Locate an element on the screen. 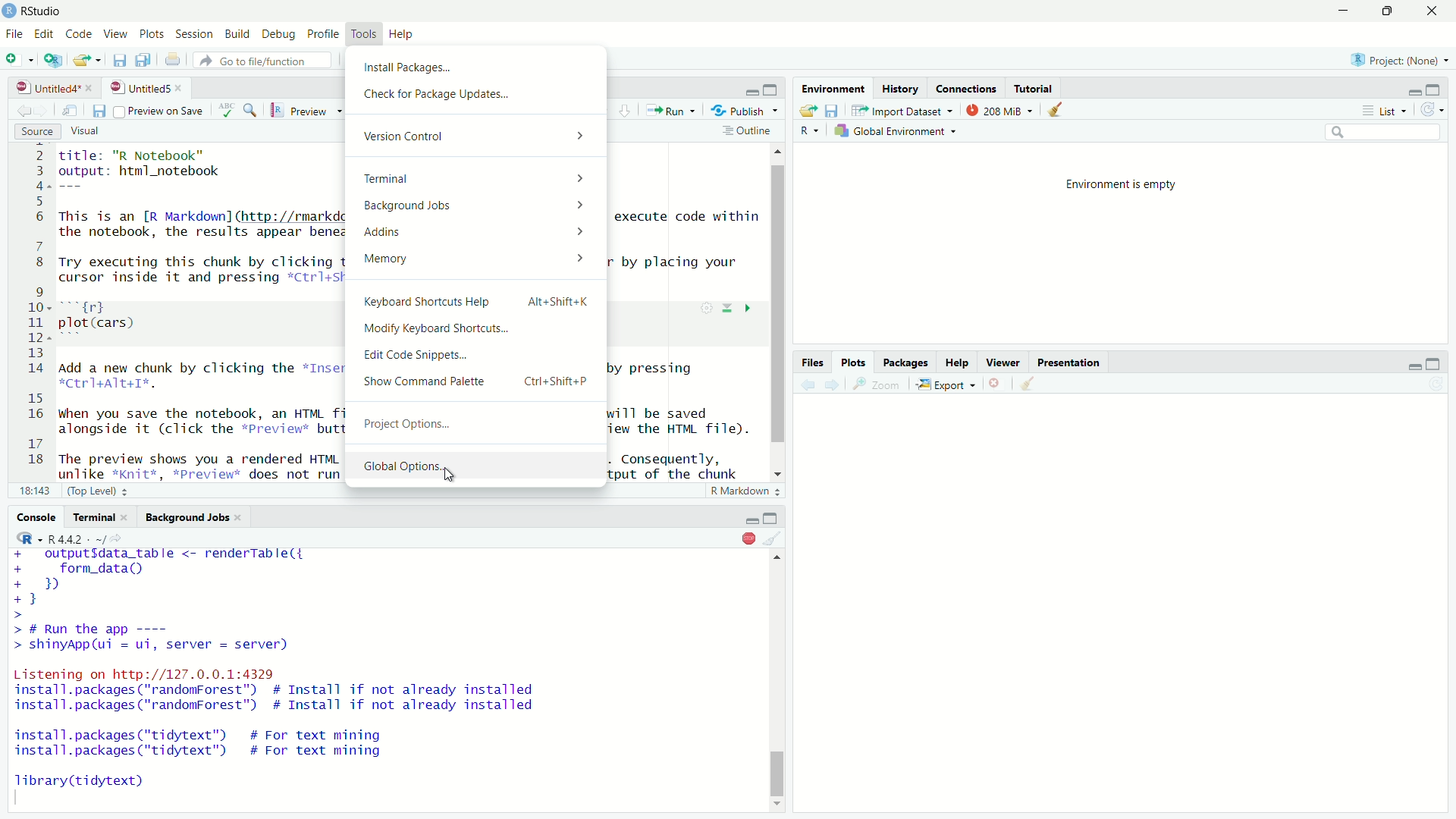 This screenshot has height=819, width=1456. Terminal is located at coordinates (100, 517).